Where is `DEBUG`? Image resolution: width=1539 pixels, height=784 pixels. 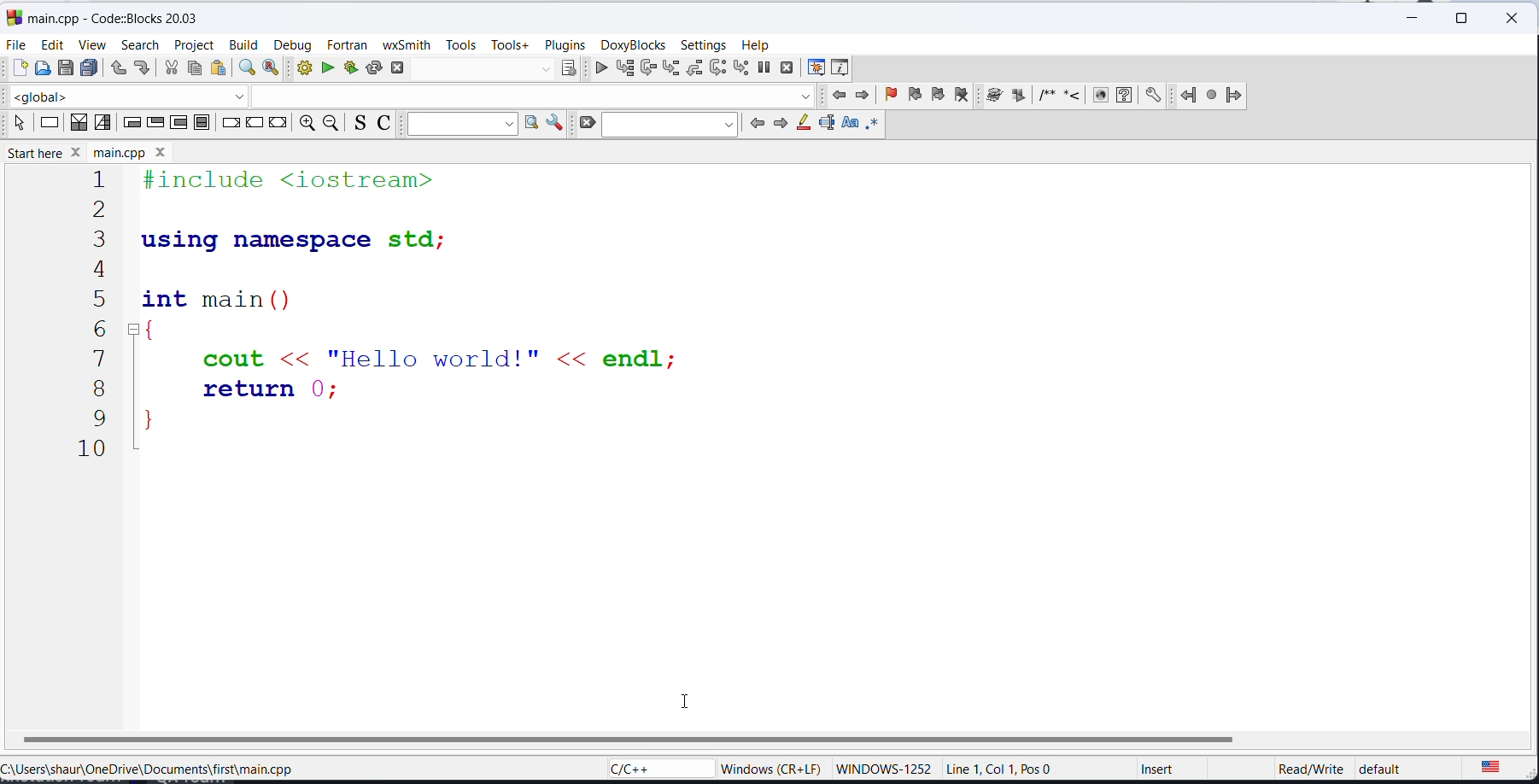 DEBUG is located at coordinates (597, 69).